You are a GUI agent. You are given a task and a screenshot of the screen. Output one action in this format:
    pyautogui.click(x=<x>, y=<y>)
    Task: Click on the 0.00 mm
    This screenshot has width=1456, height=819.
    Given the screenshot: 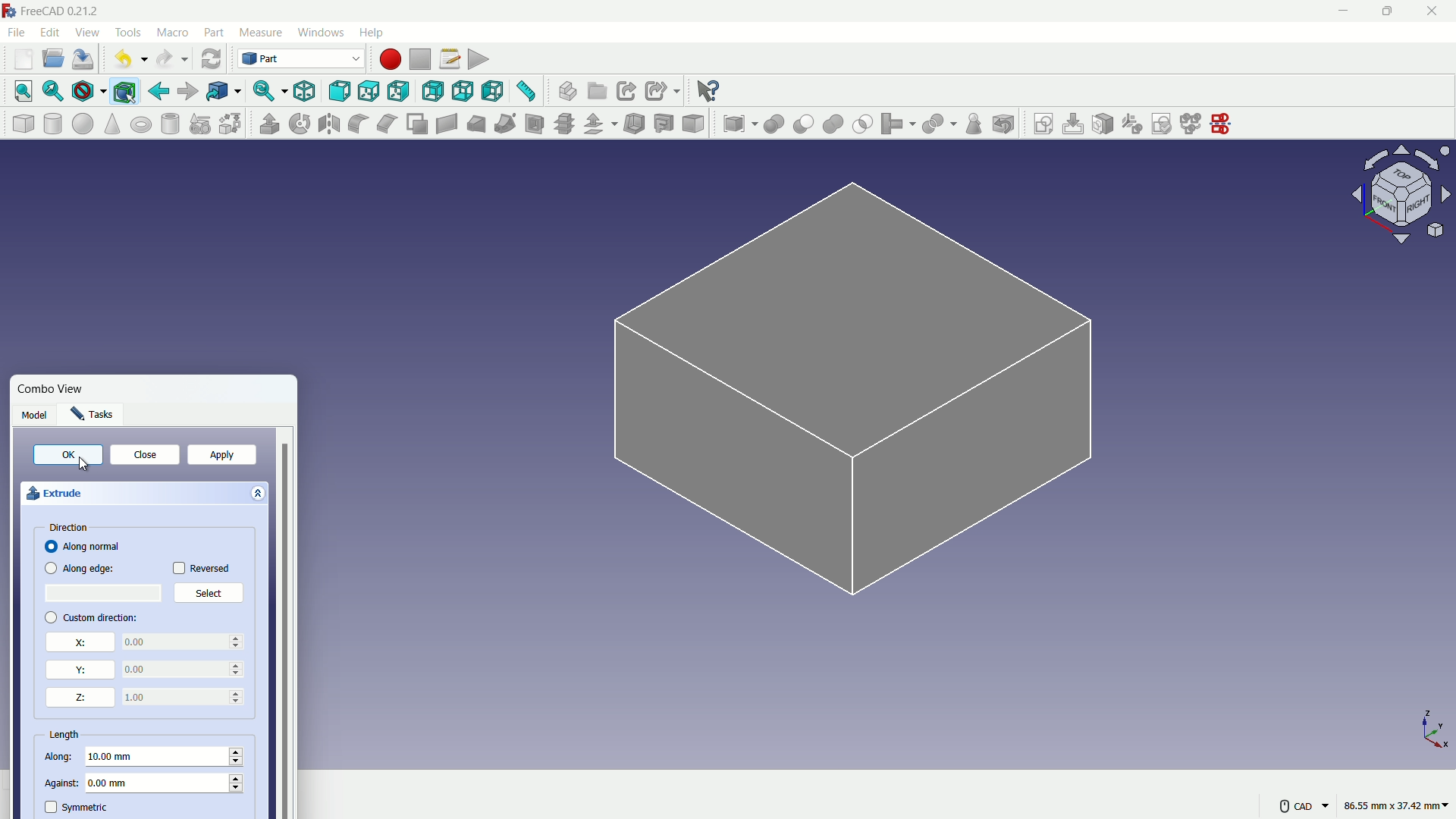 What is the action you would take?
    pyautogui.click(x=164, y=783)
    